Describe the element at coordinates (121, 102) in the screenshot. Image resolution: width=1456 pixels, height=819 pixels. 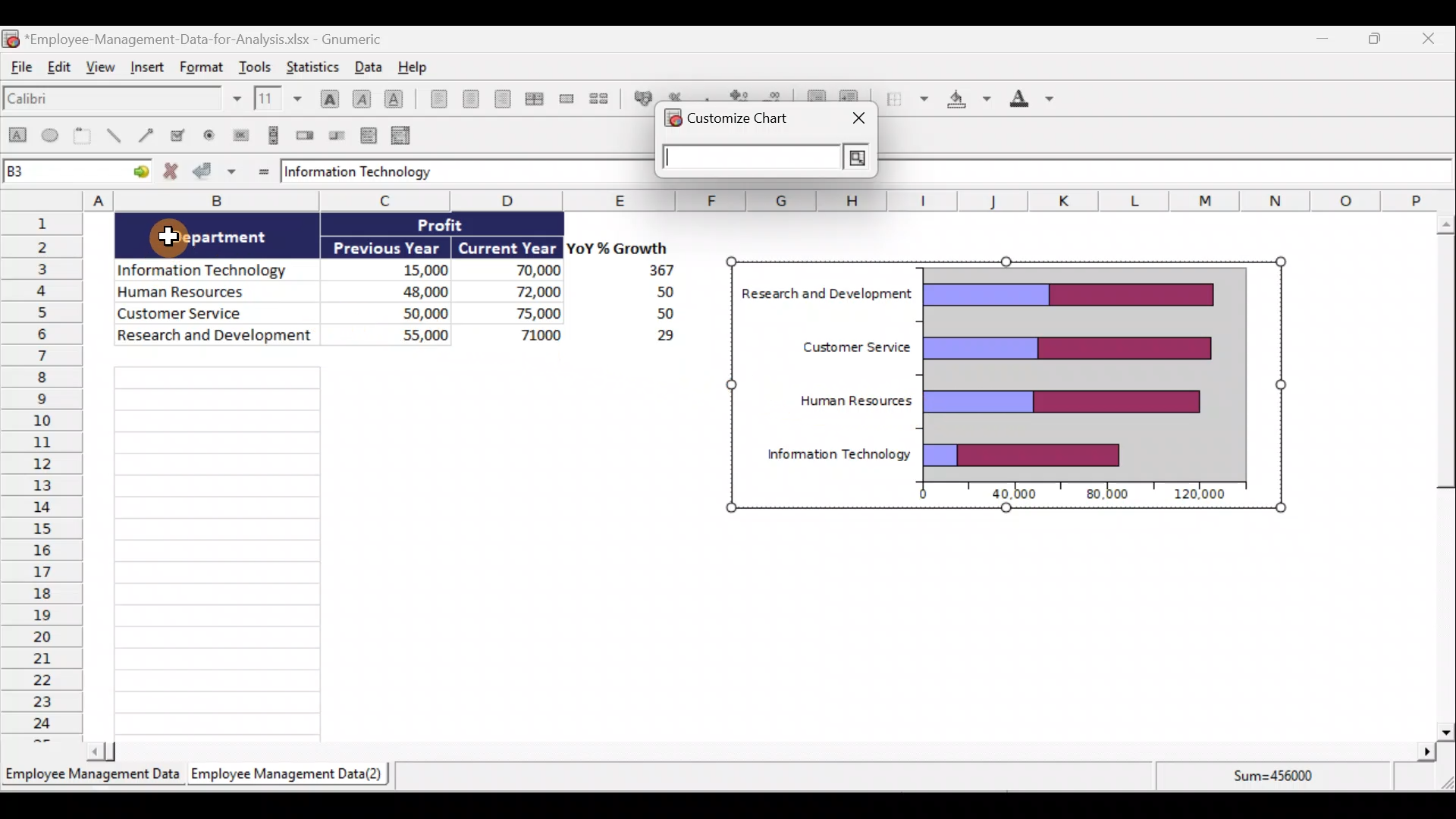
I see `Font name Calibri` at that location.